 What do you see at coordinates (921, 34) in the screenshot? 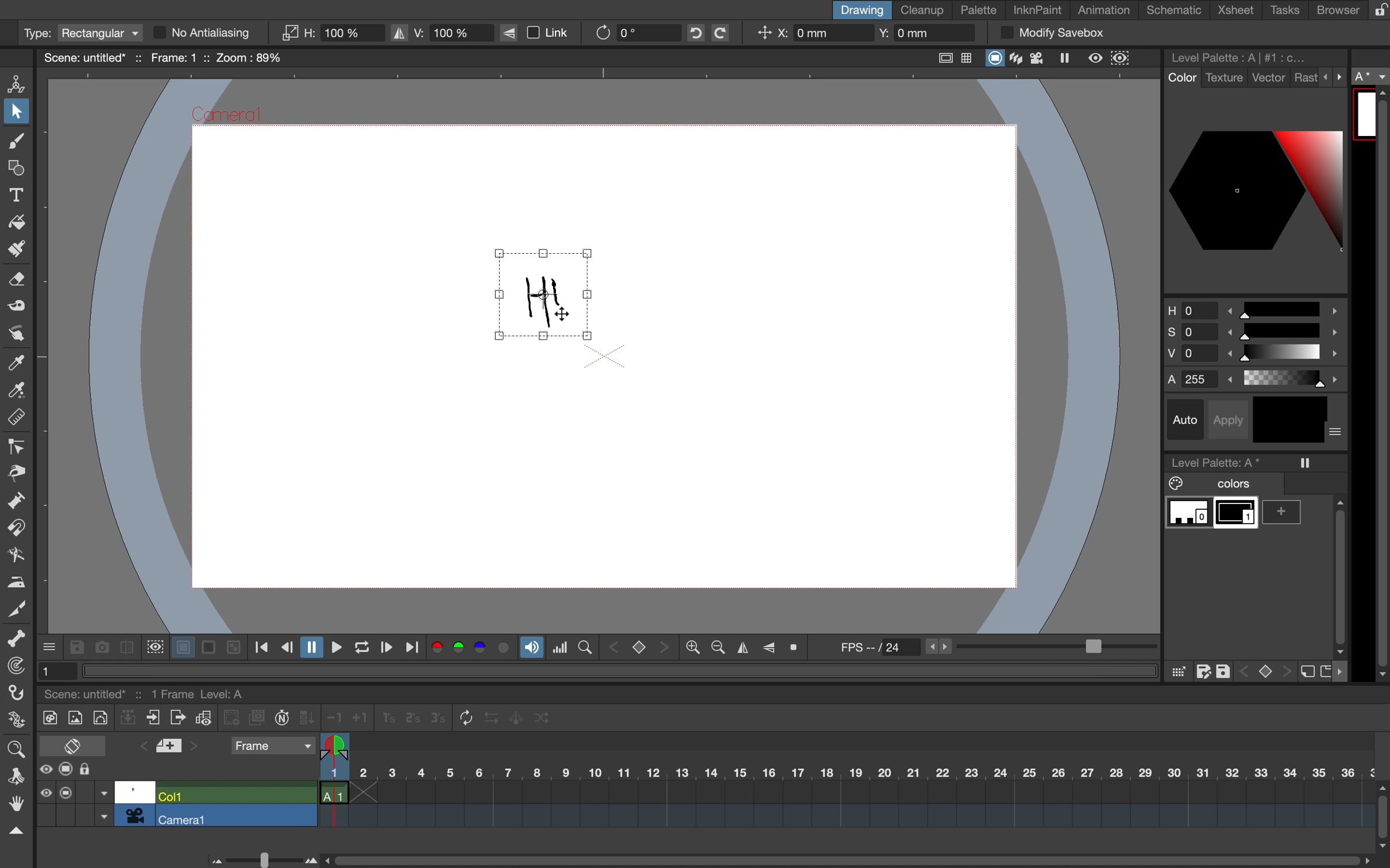
I see `y coordinate` at bounding box center [921, 34].